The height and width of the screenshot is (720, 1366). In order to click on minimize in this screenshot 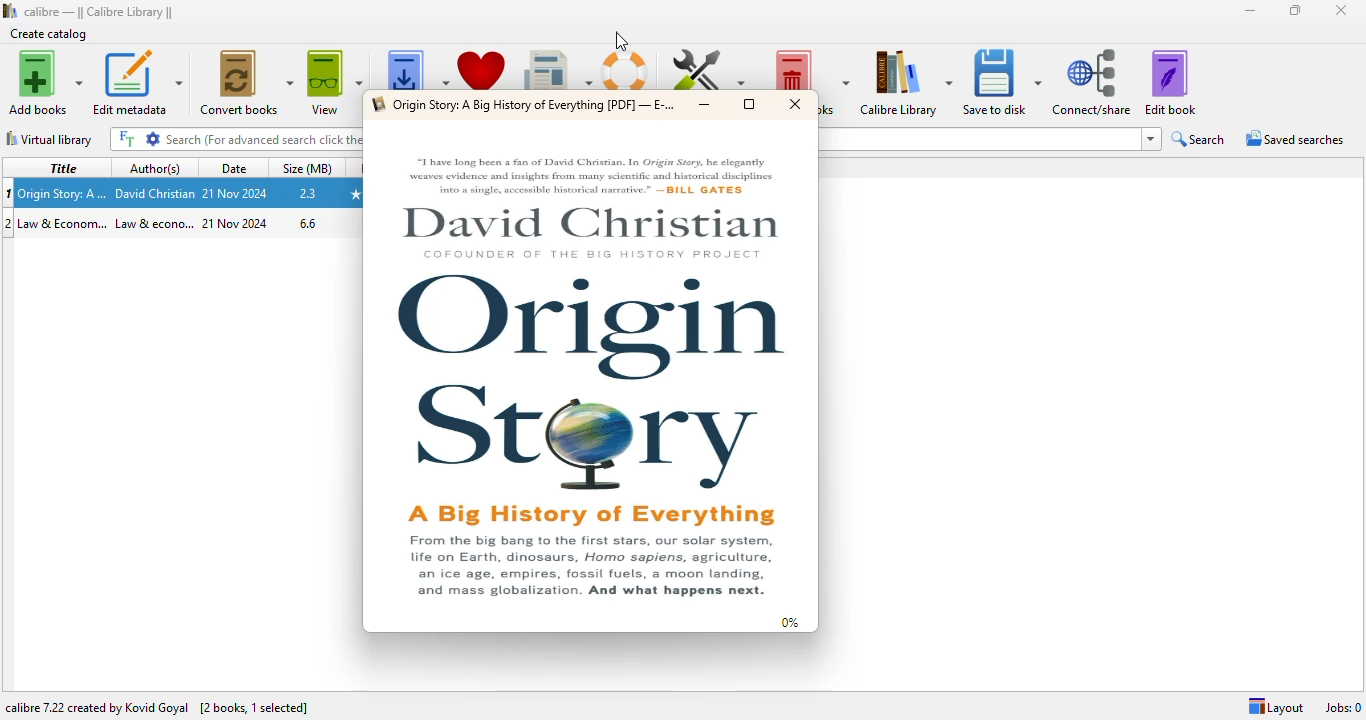, I will do `click(706, 105)`.